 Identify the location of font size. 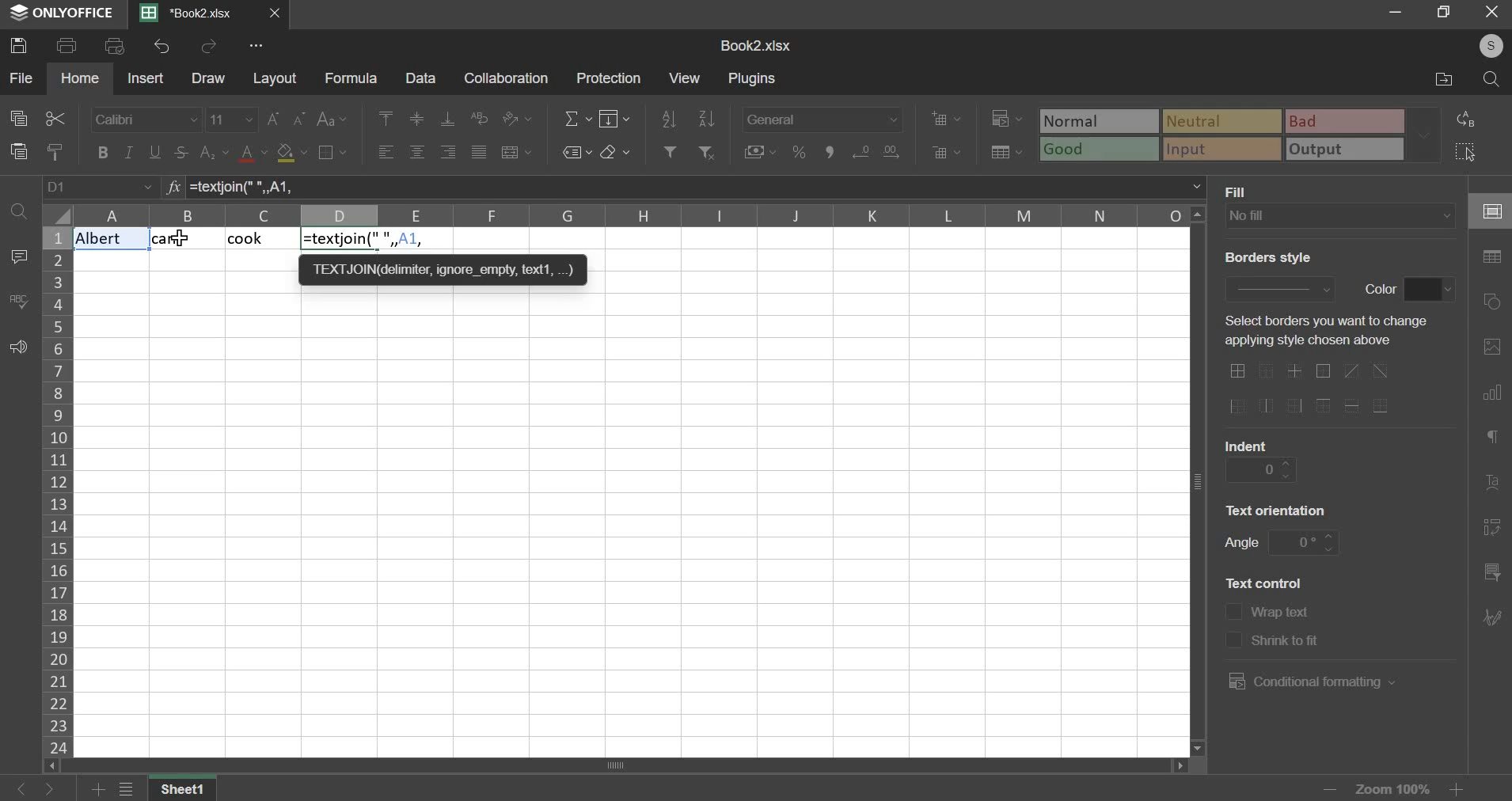
(232, 119).